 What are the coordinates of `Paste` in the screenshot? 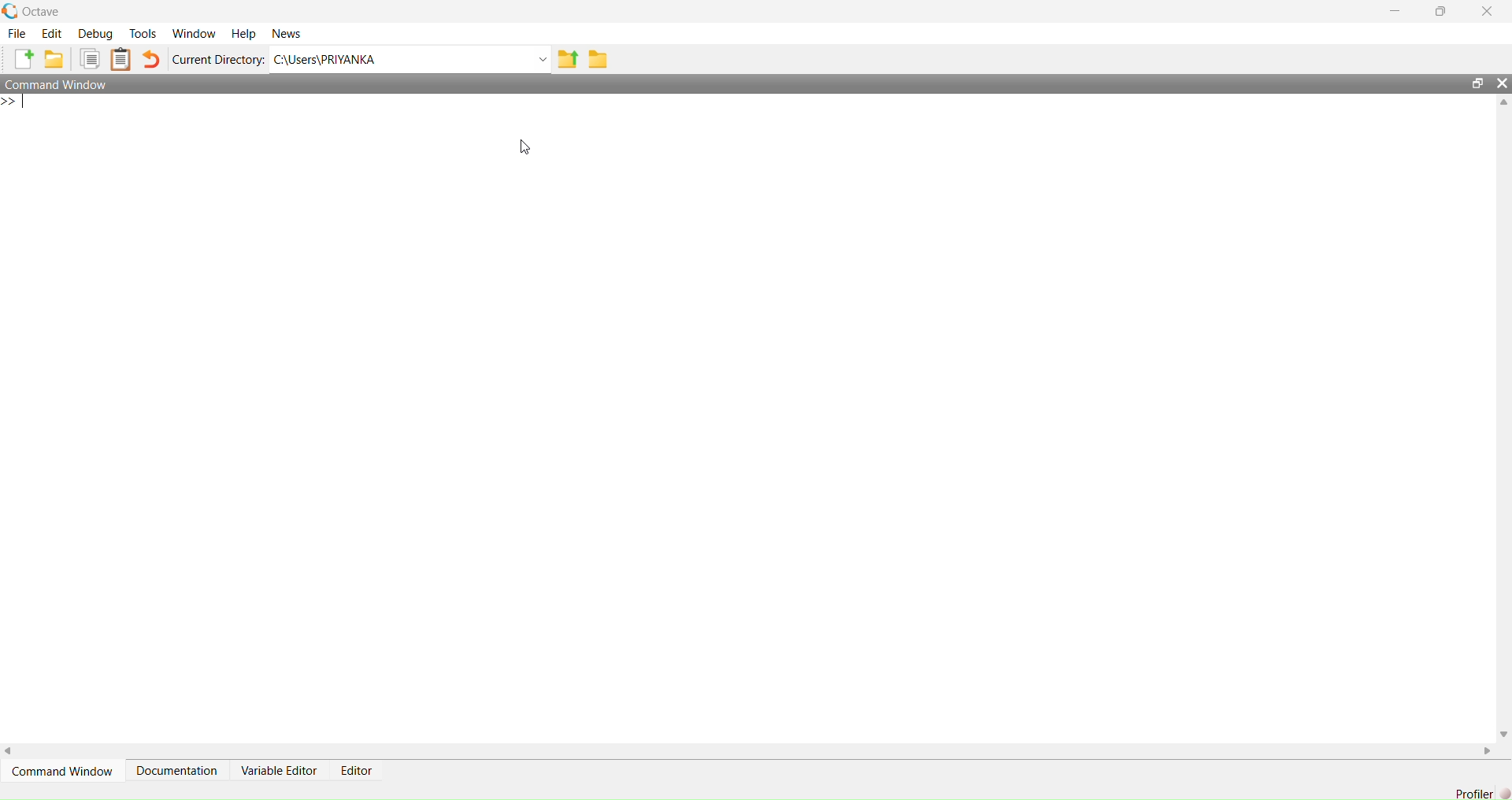 It's located at (122, 59).